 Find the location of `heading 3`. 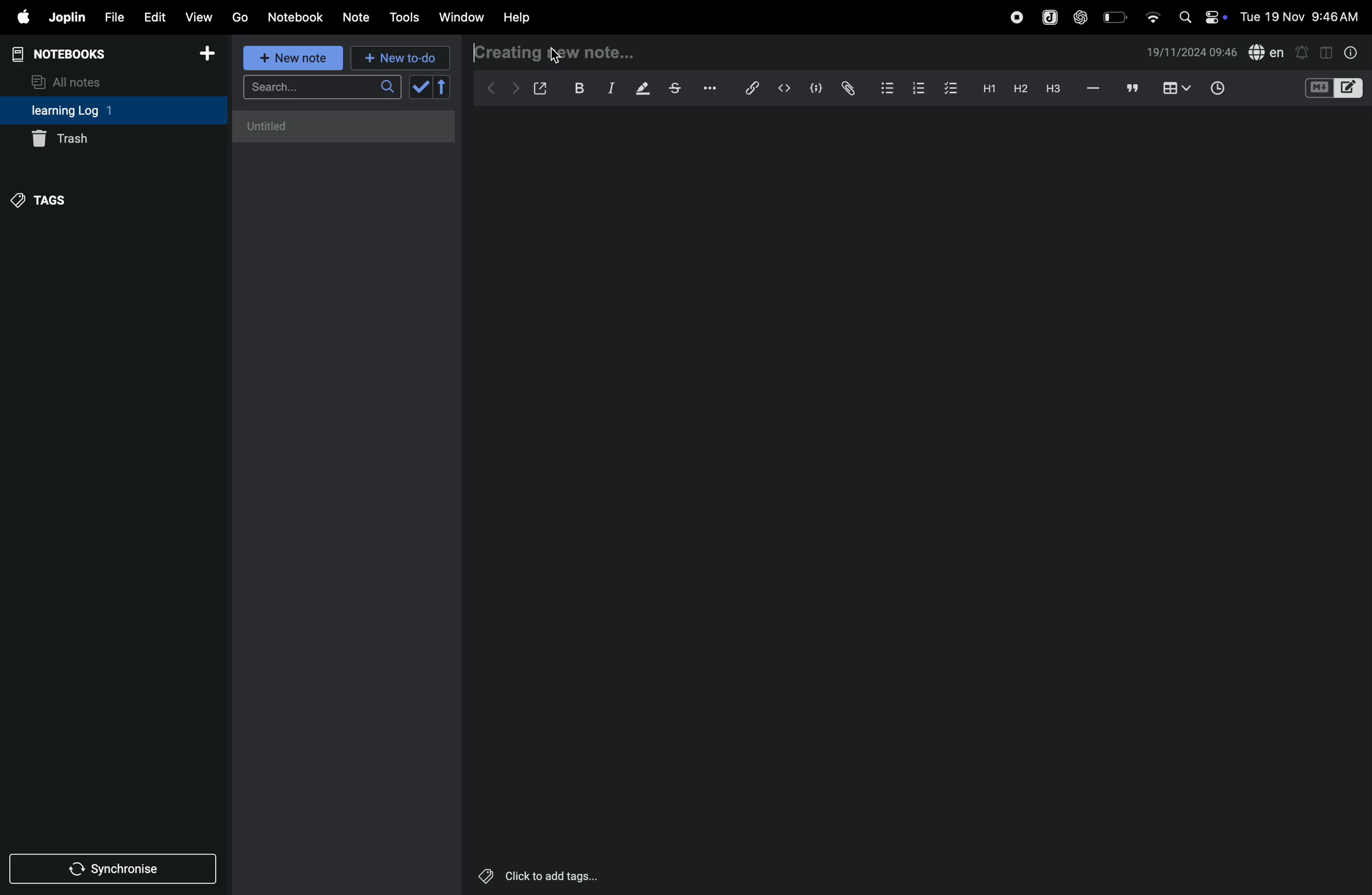

heading 3 is located at coordinates (1053, 89).